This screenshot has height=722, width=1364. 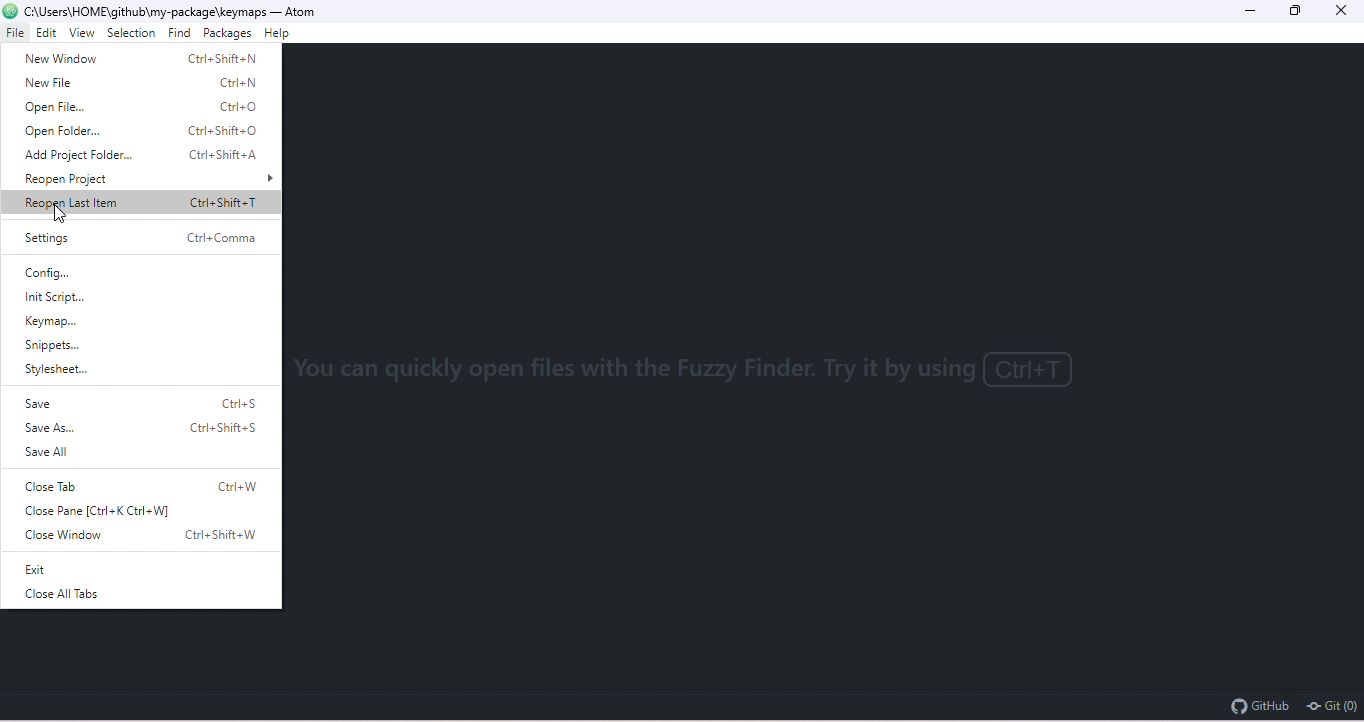 What do you see at coordinates (1259, 704) in the screenshot?
I see `github` at bounding box center [1259, 704].